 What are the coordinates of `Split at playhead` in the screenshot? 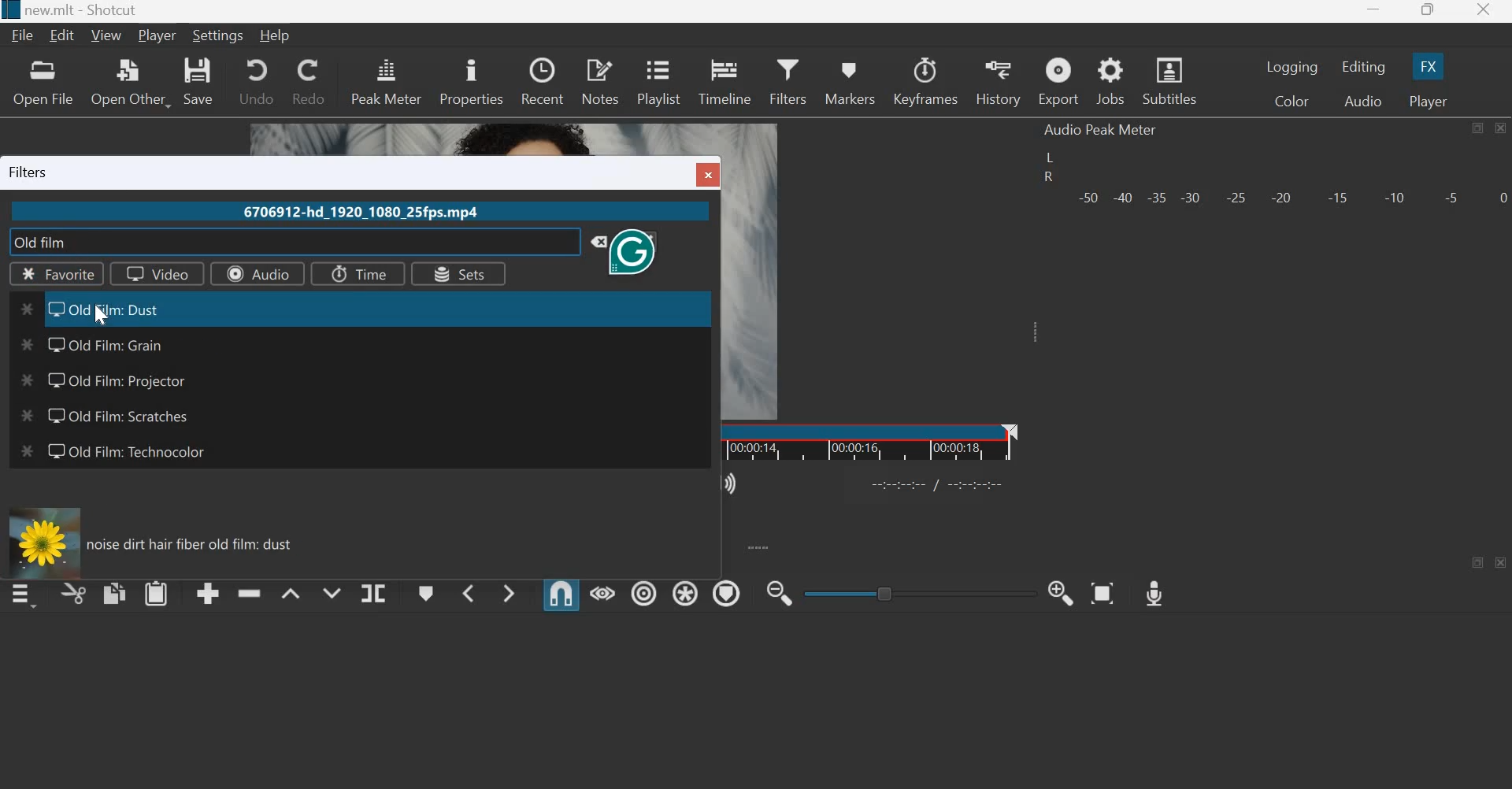 It's located at (372, 594).